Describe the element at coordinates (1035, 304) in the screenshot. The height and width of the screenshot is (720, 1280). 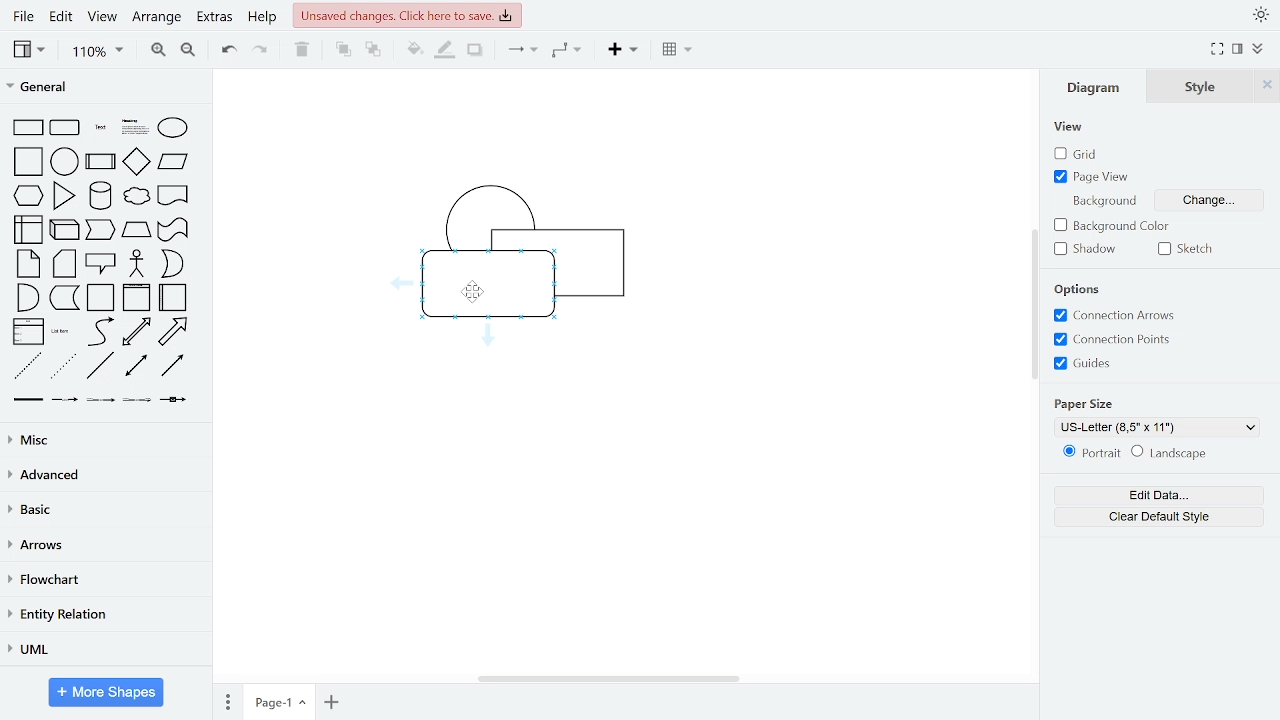
I see `vertical scrollbar` at that location.